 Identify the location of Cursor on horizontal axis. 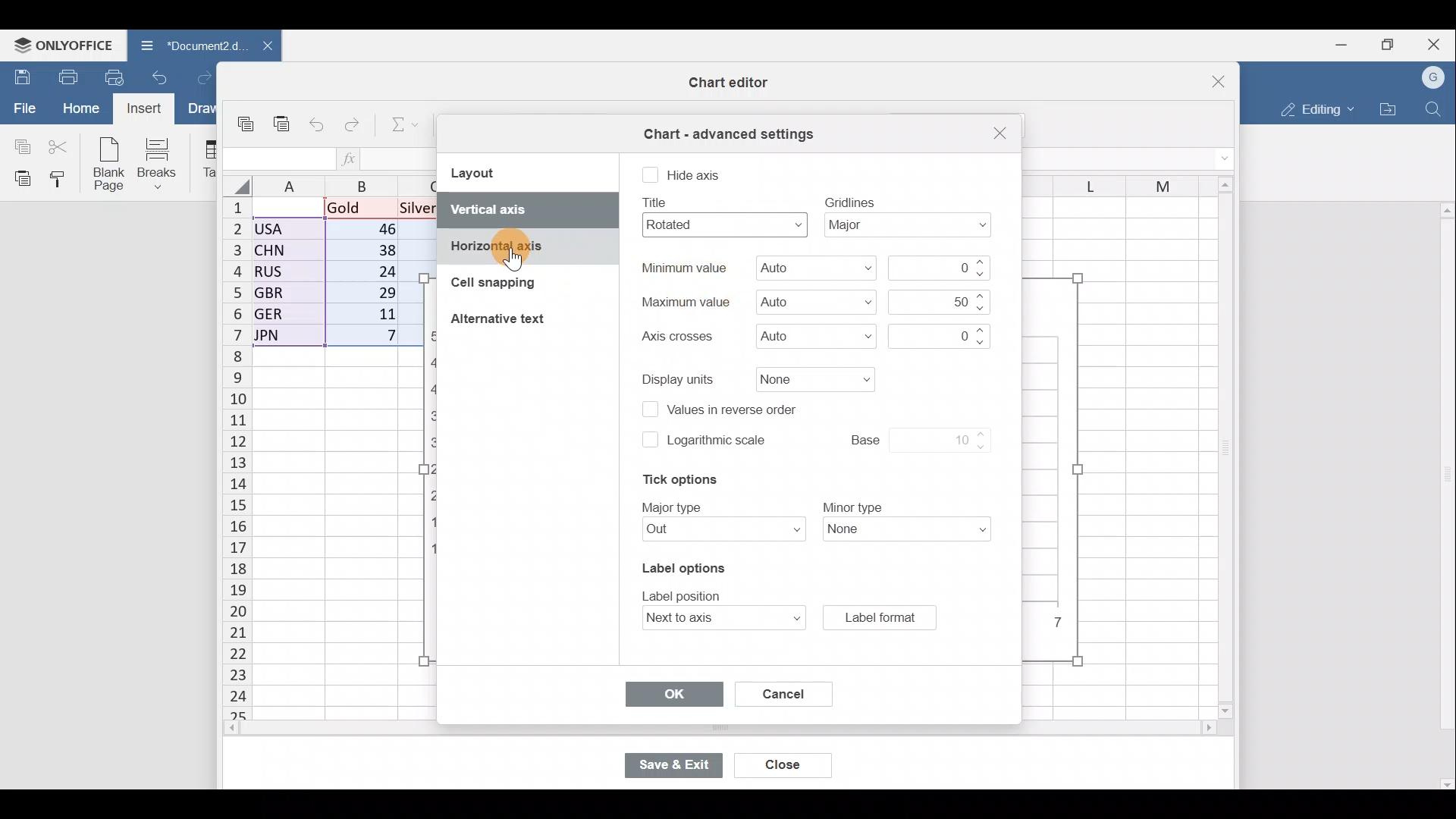
(511, 259).